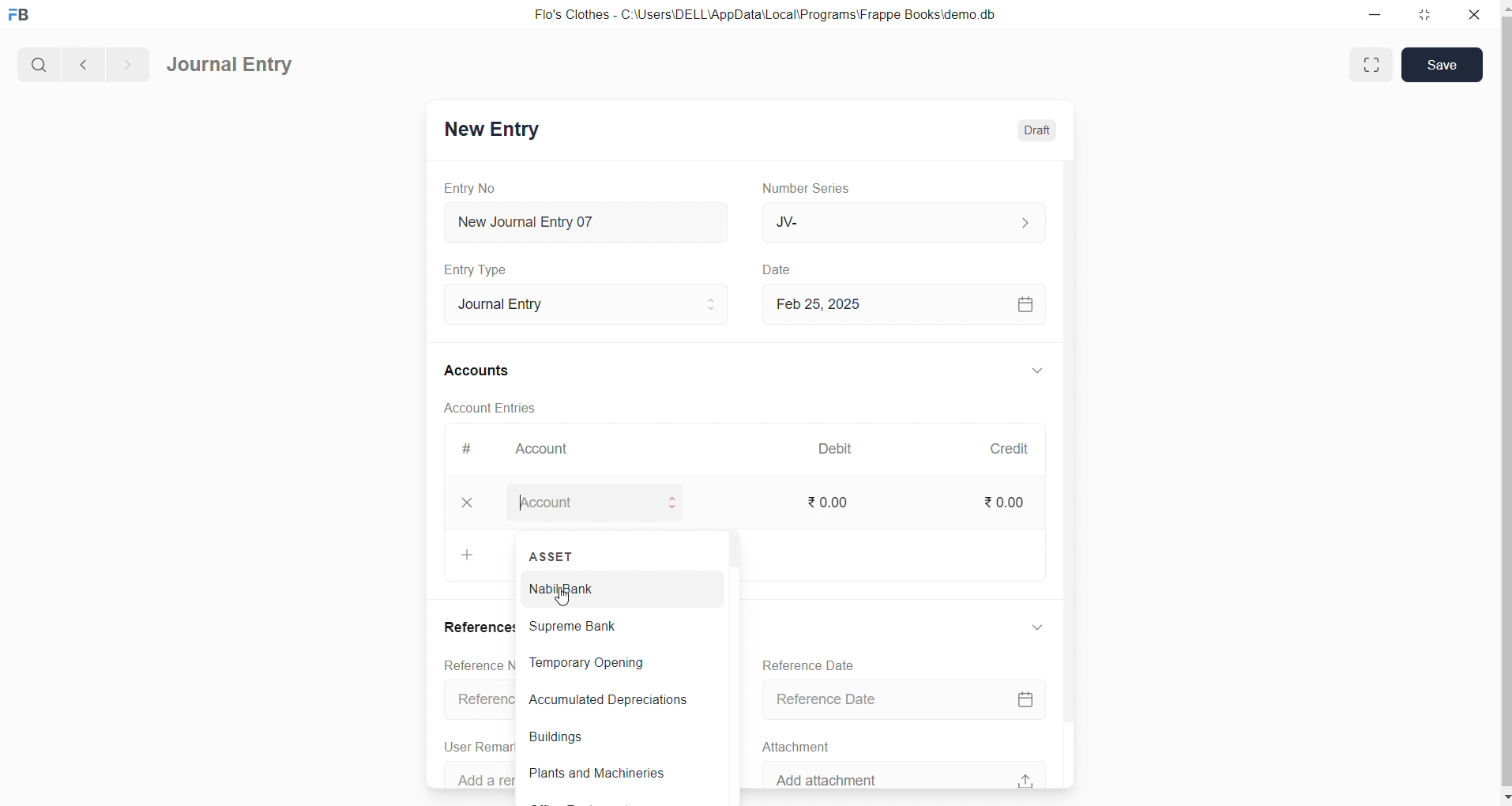  Describe the element at coordinates (608, 700) in the screenshot. I see `Accumulated Depreciations` at that location.